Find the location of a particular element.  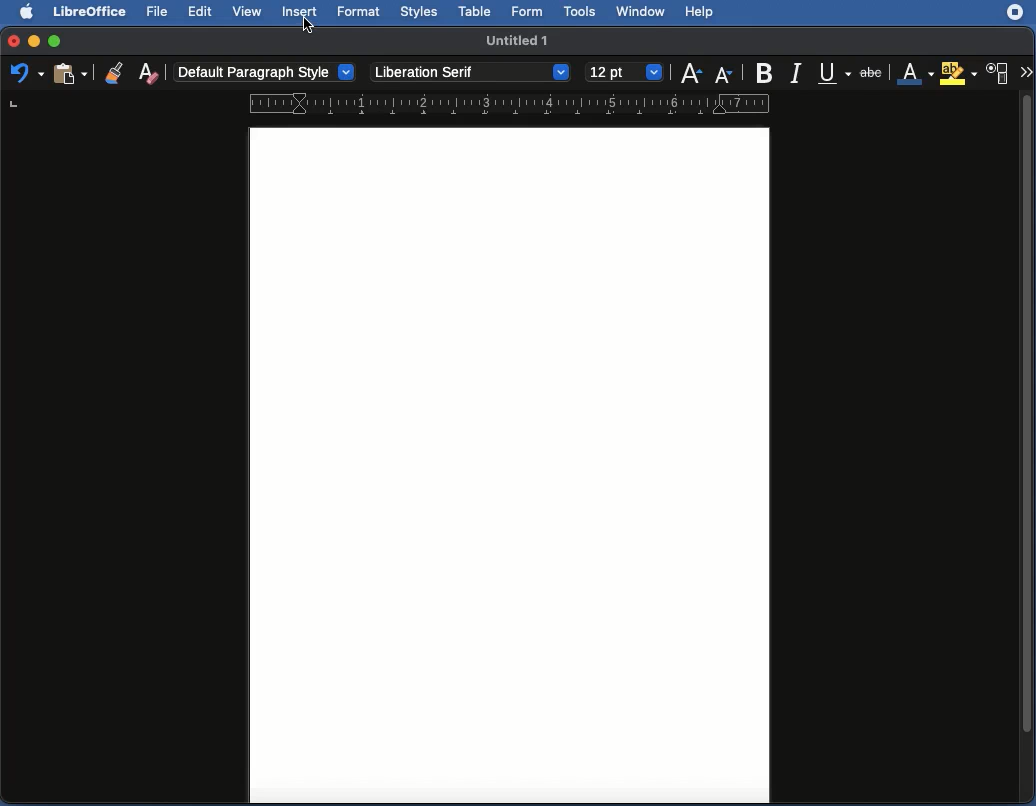

Italics is located at coordinates (800, 72).